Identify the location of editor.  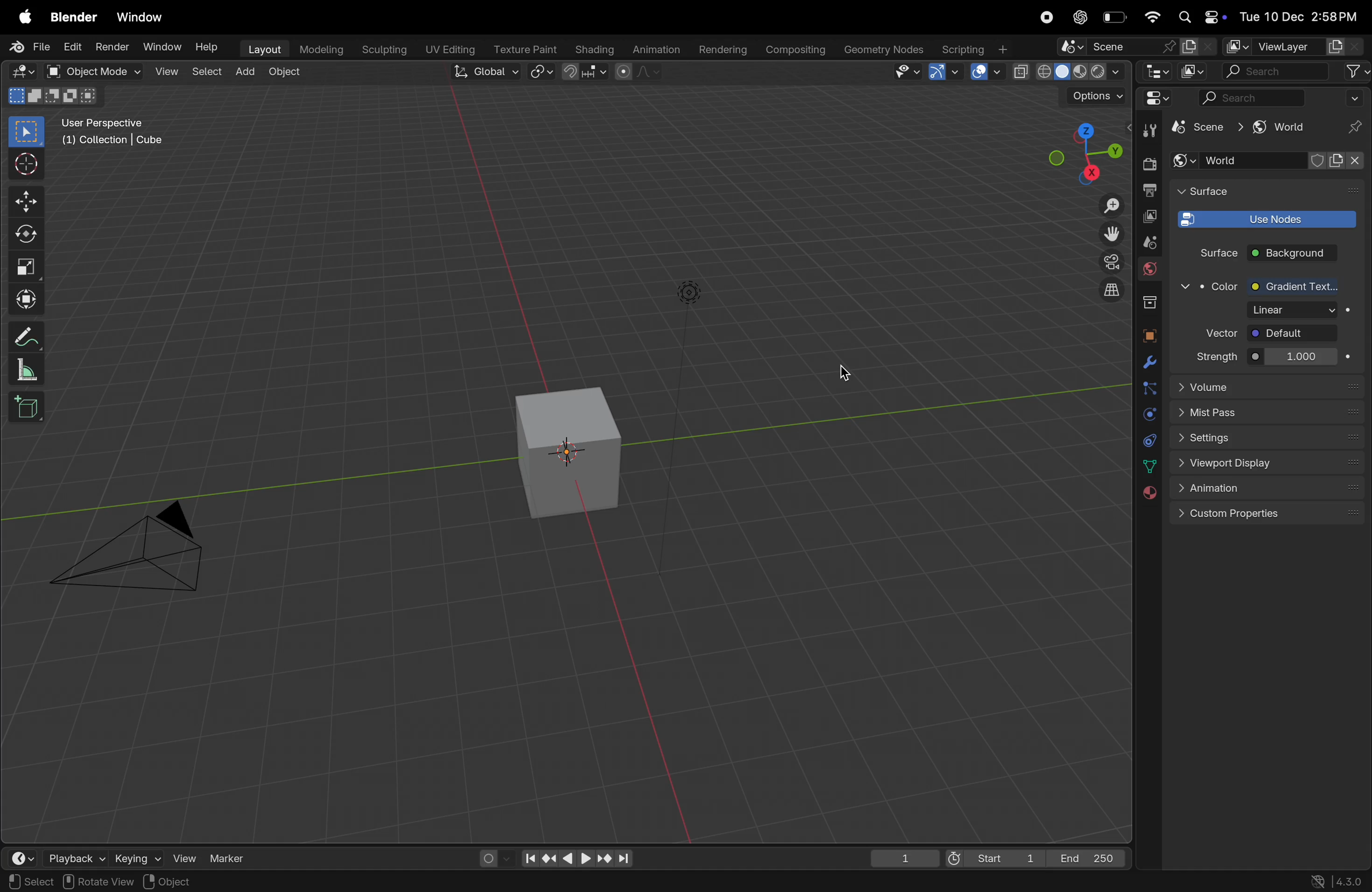
(1156, 73).